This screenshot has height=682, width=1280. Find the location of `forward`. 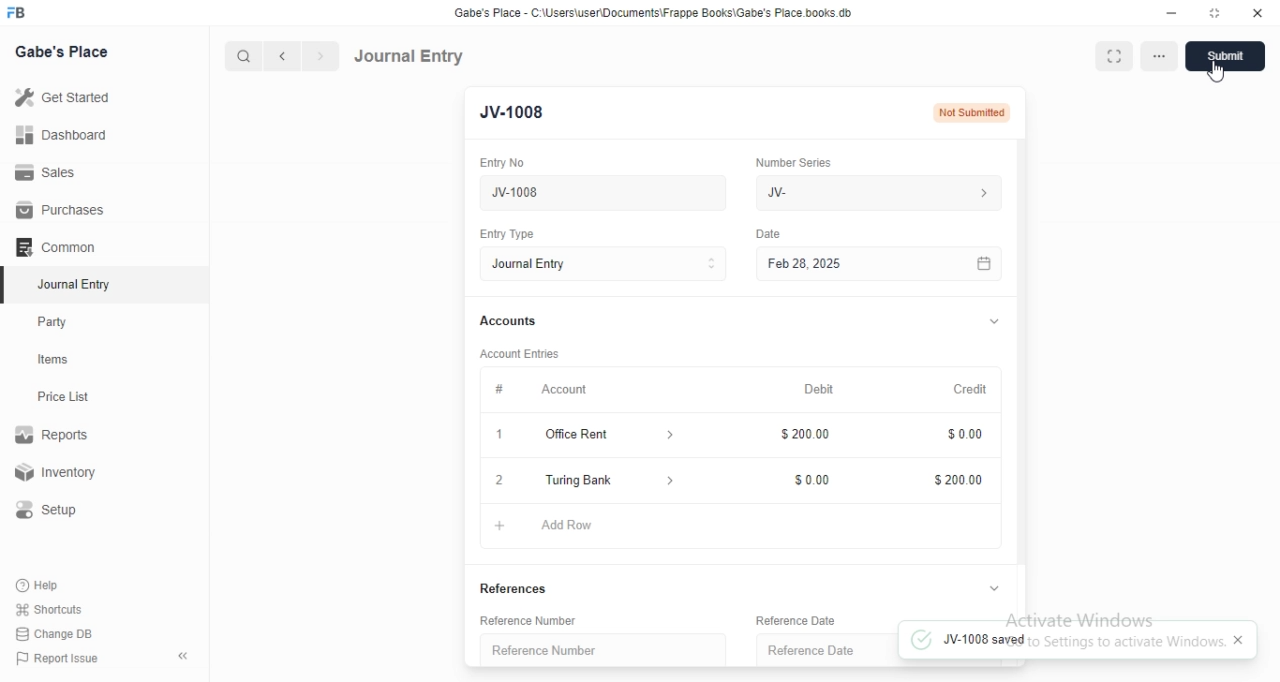

forward is located at coordinates (322, 56).